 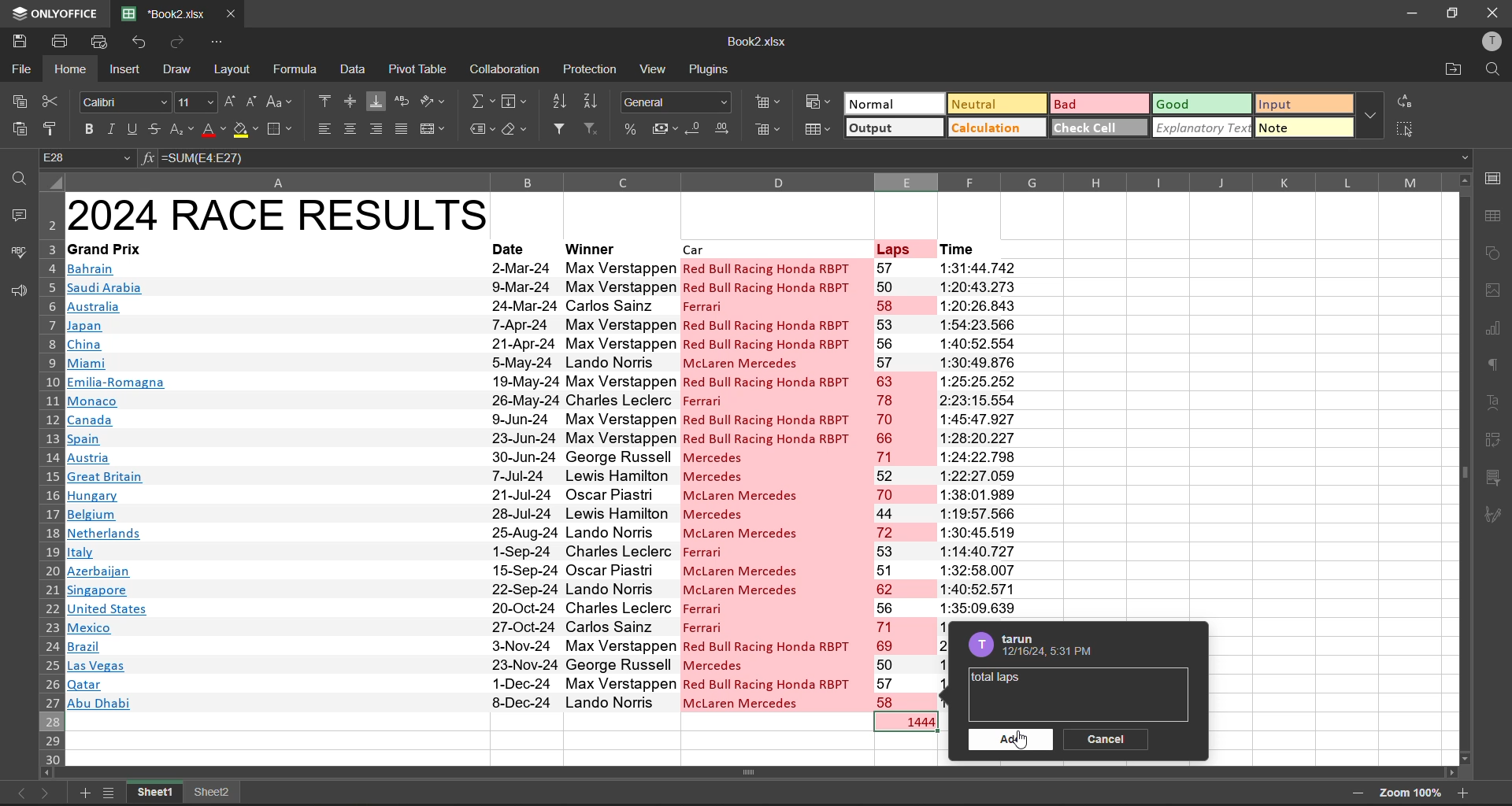 What do you see at coordinates (84, 793) in the screenshot?
I see `add new sheet` at bounding box center [84, 793].